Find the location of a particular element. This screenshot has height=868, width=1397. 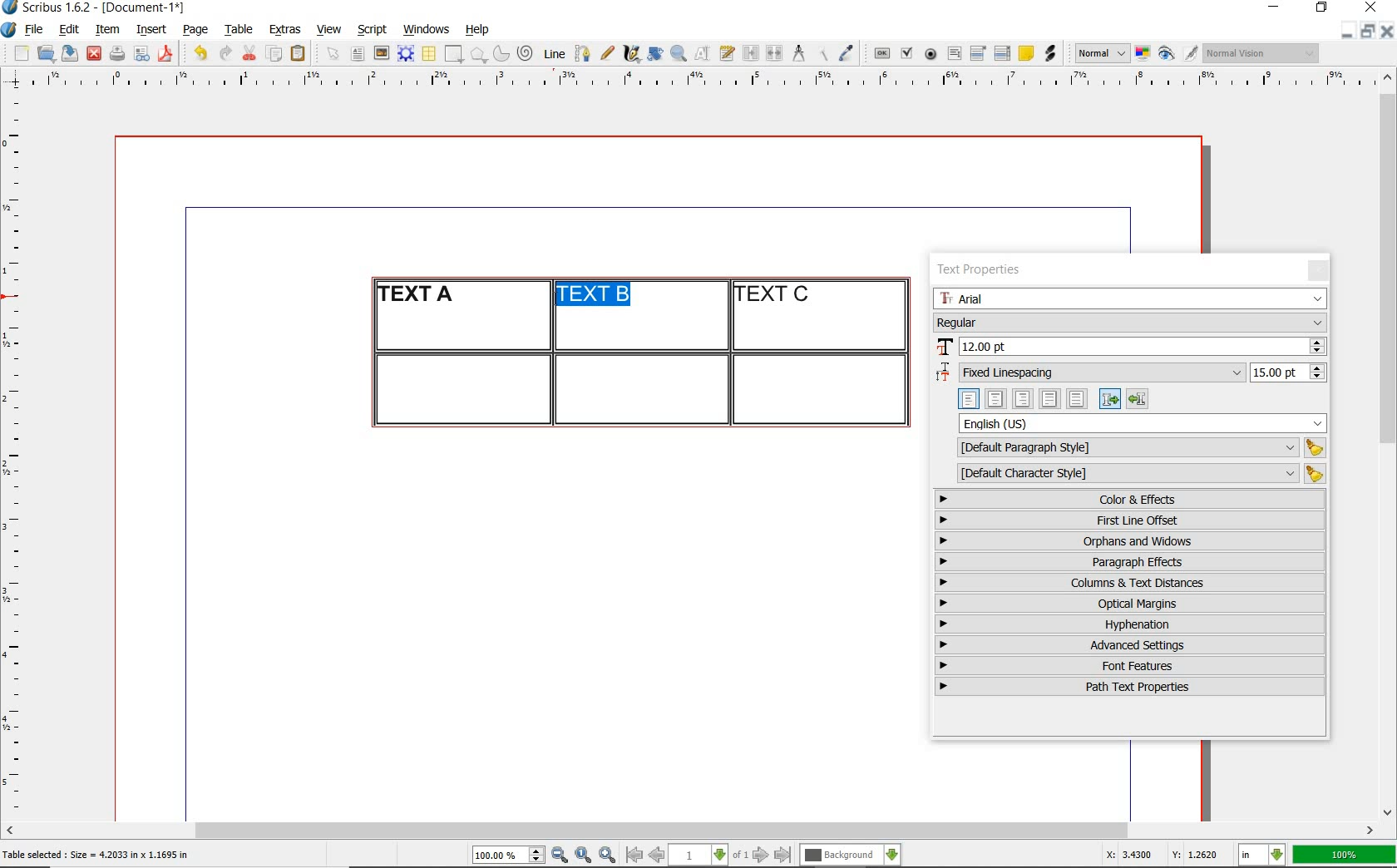

edit is located at coordinates (70, 29).